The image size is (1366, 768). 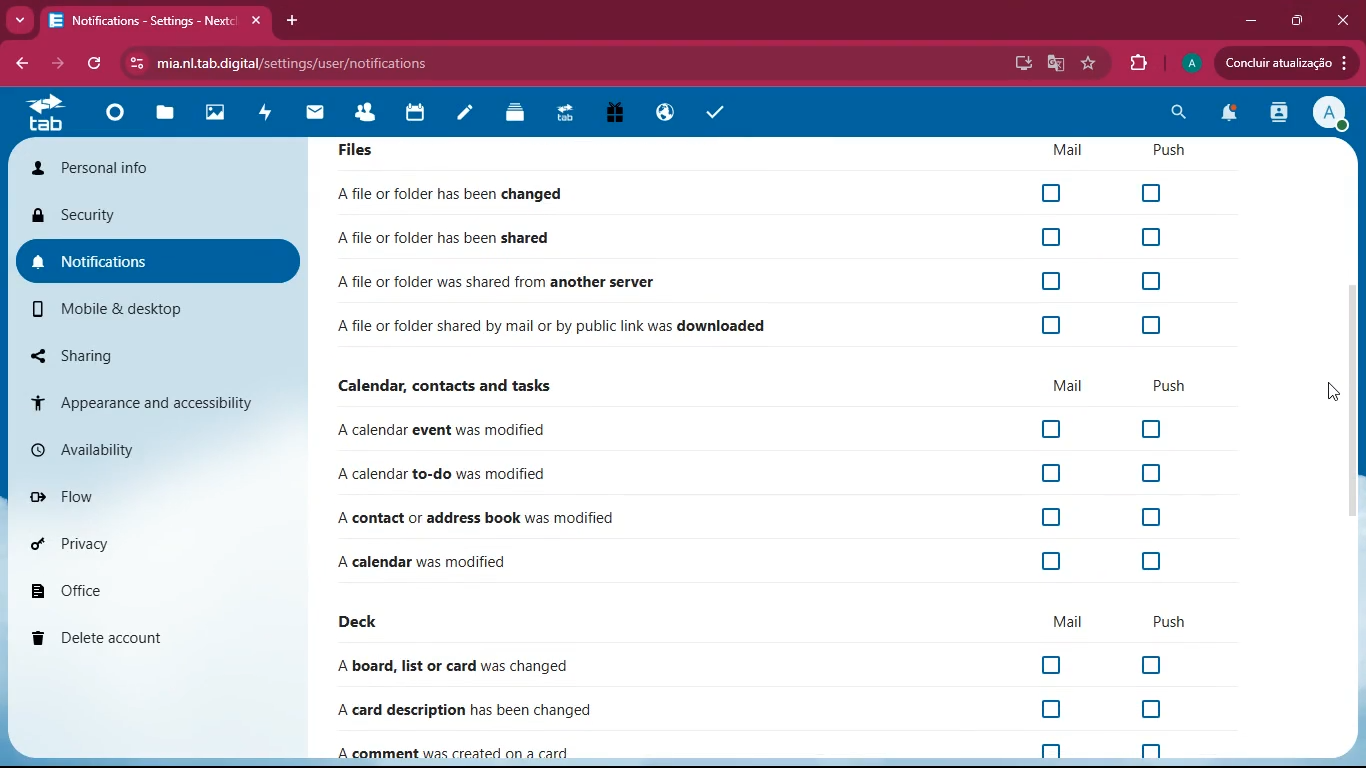 What do you see at coordinates (141, 449) in the screenshot?
I see `availability` at bounding box center [141, 449].